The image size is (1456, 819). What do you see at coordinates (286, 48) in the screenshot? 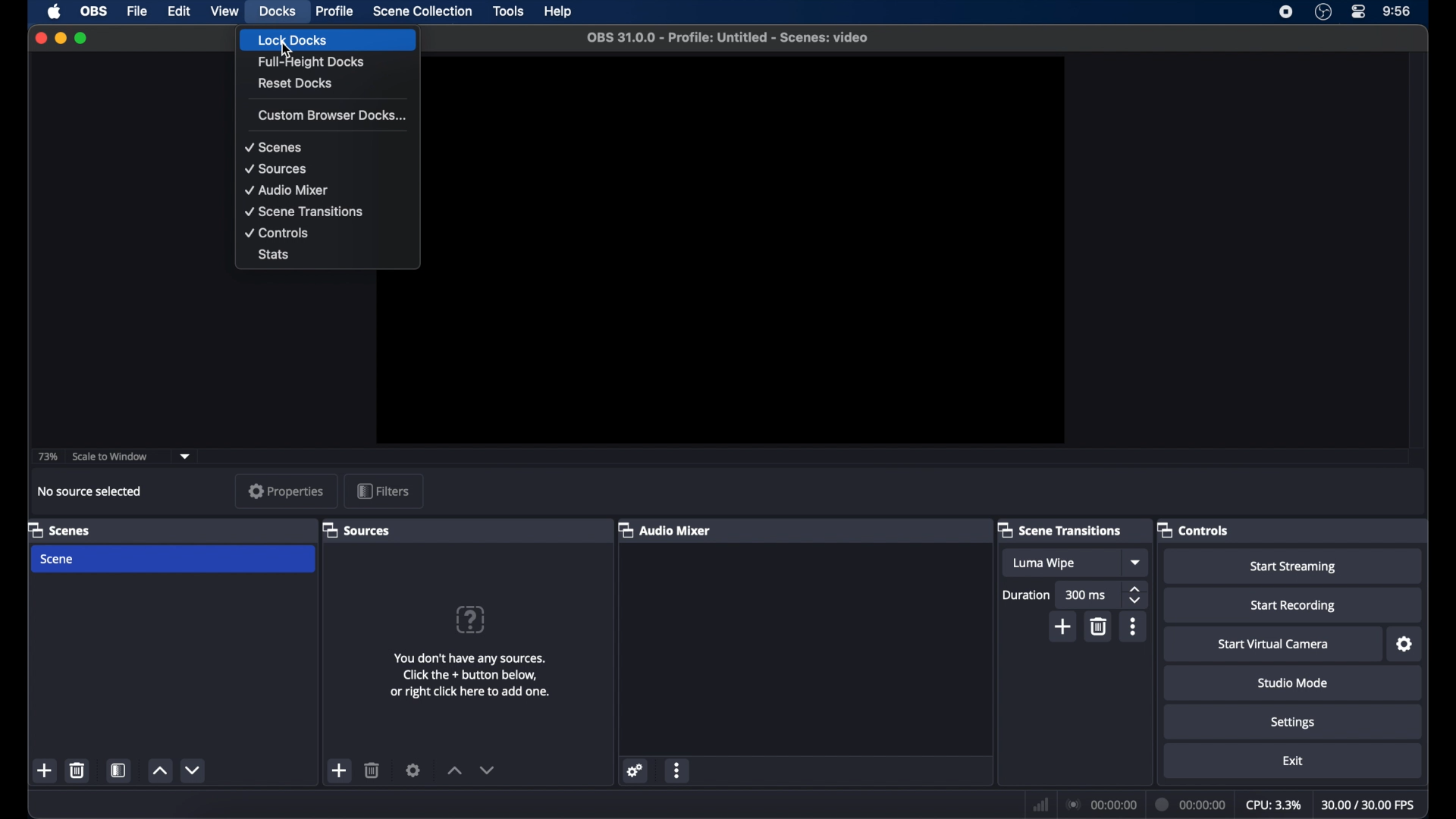
I see `cursor` at bounding box center [286, 48].